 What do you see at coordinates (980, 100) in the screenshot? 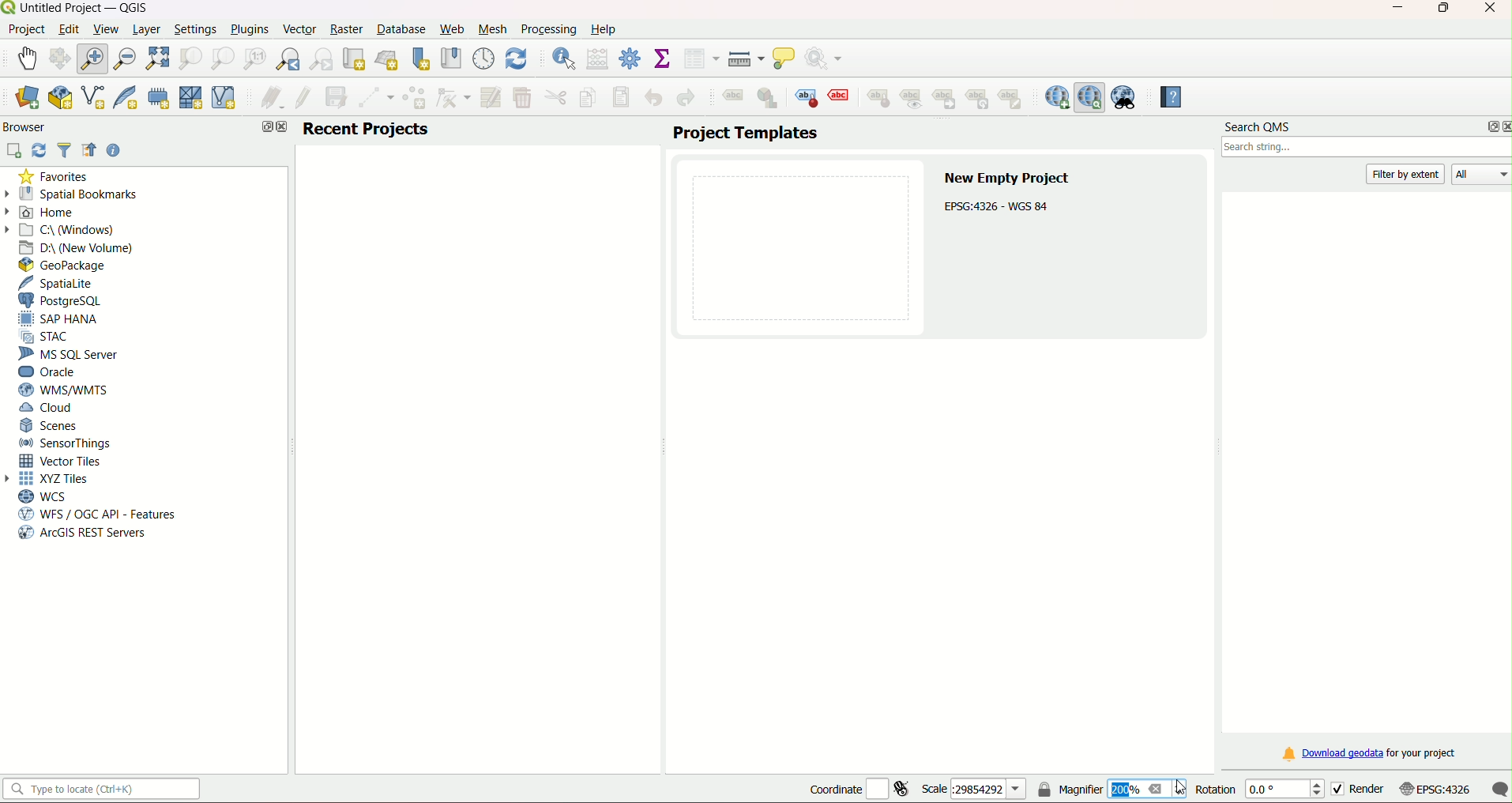
I see `rotate label` at bounding box center [980, 100].